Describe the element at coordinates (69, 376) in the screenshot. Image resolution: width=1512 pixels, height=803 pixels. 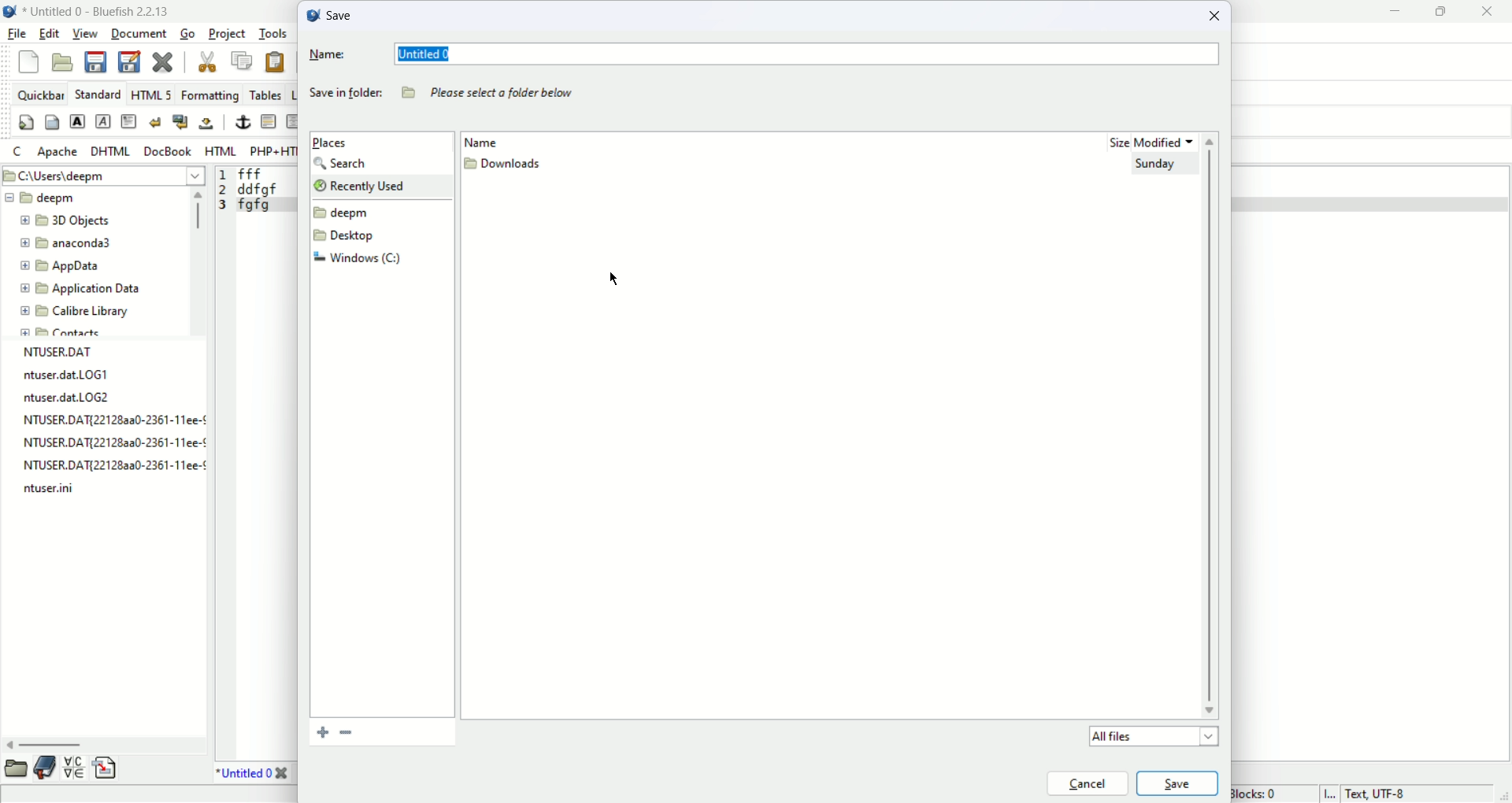
I see `ntuser.dat LOG1` at that location.